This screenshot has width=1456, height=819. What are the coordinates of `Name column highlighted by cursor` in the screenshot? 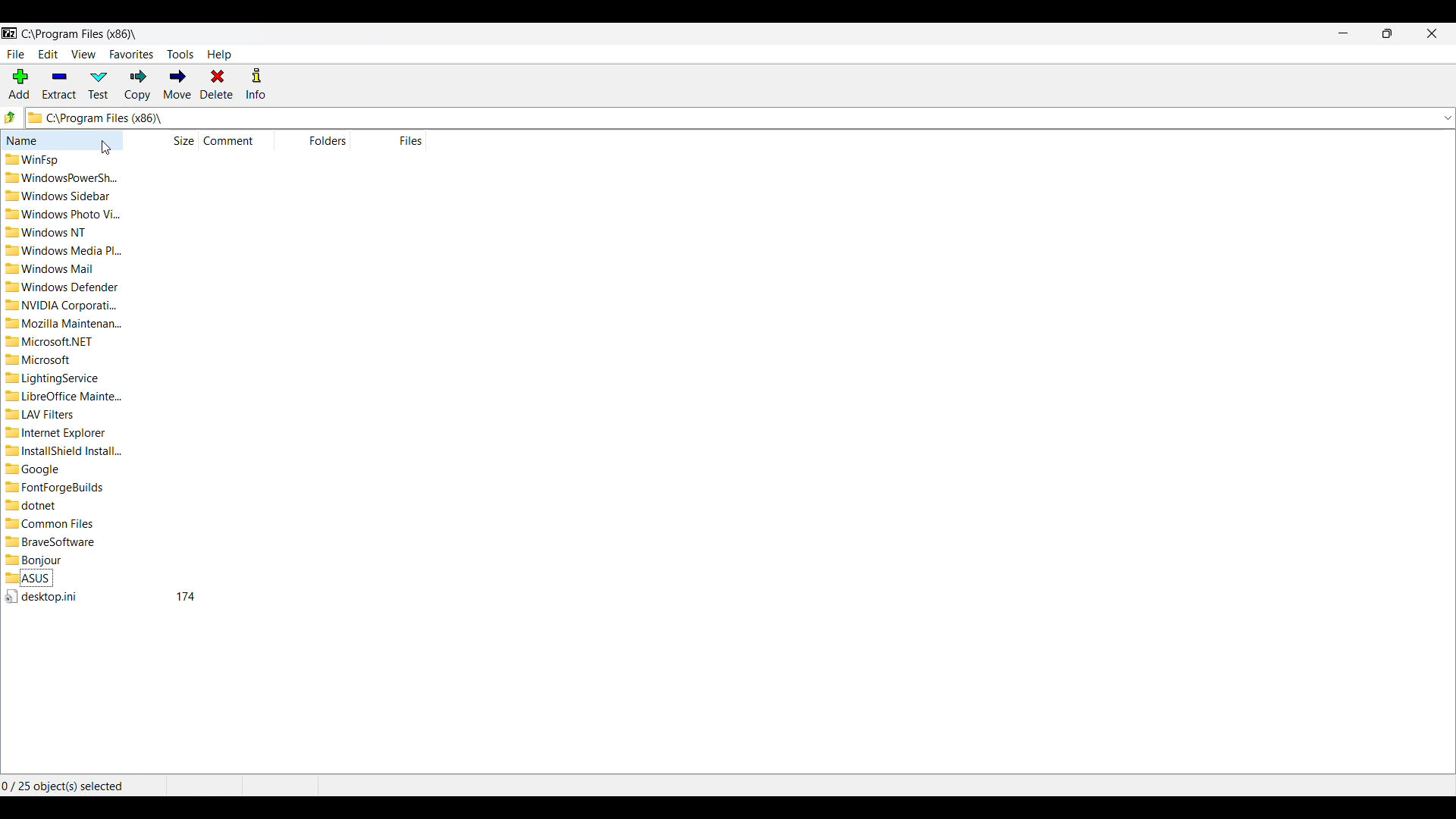 It's located at (61, 140).